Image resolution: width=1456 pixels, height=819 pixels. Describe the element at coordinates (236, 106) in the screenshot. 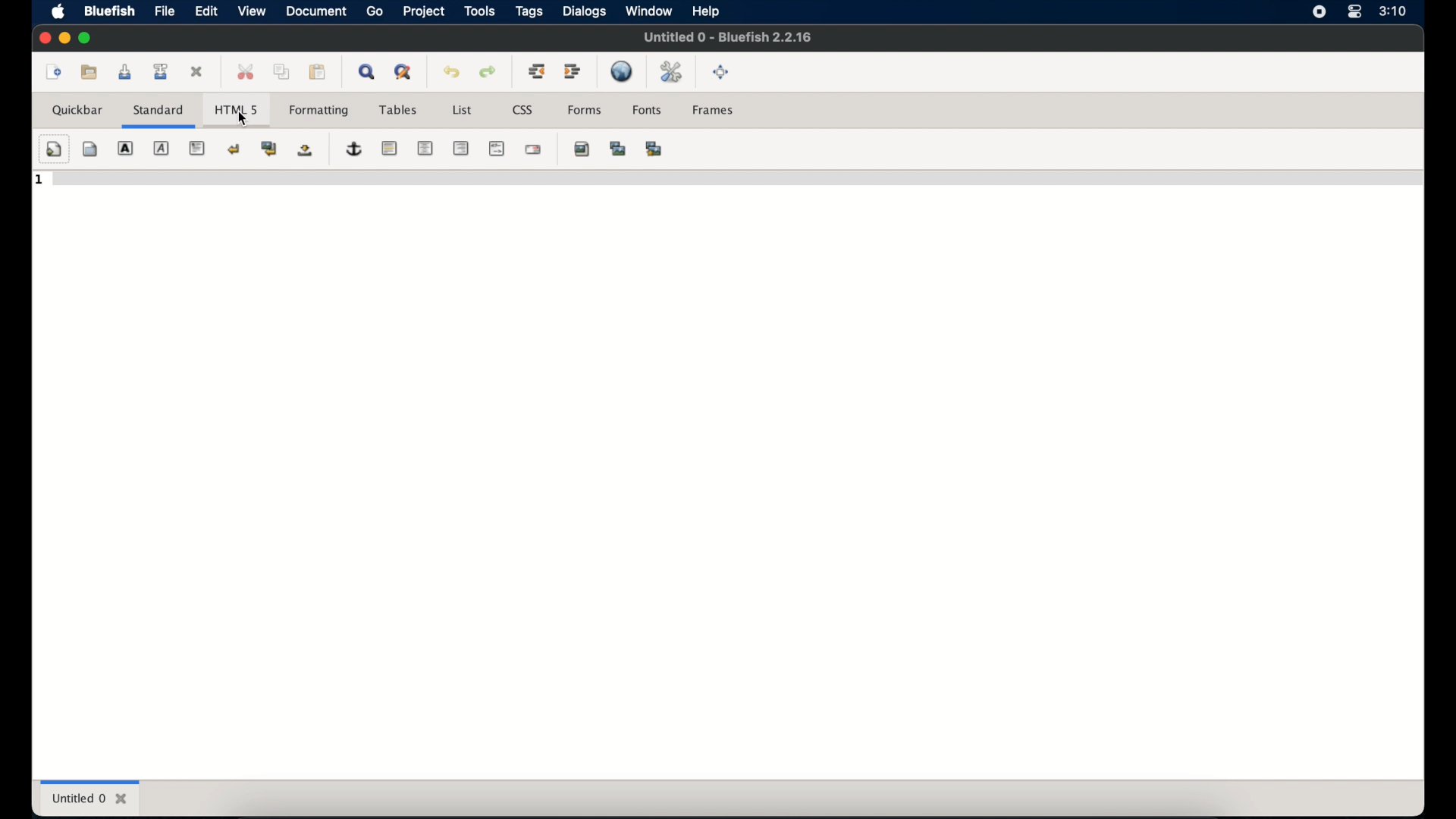

I see `html 5` at that location.